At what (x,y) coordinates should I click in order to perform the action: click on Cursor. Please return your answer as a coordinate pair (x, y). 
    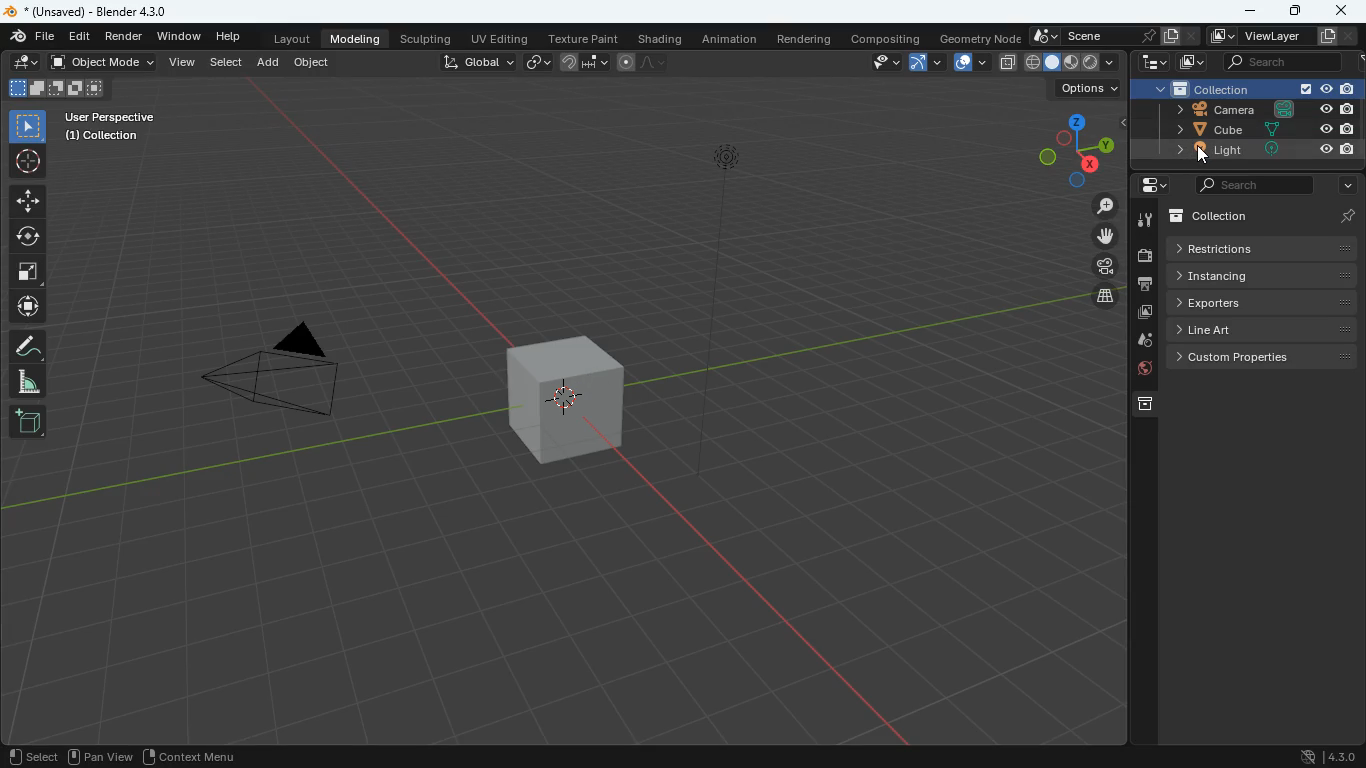
    Looking at the image, I should click on (1202, 159).